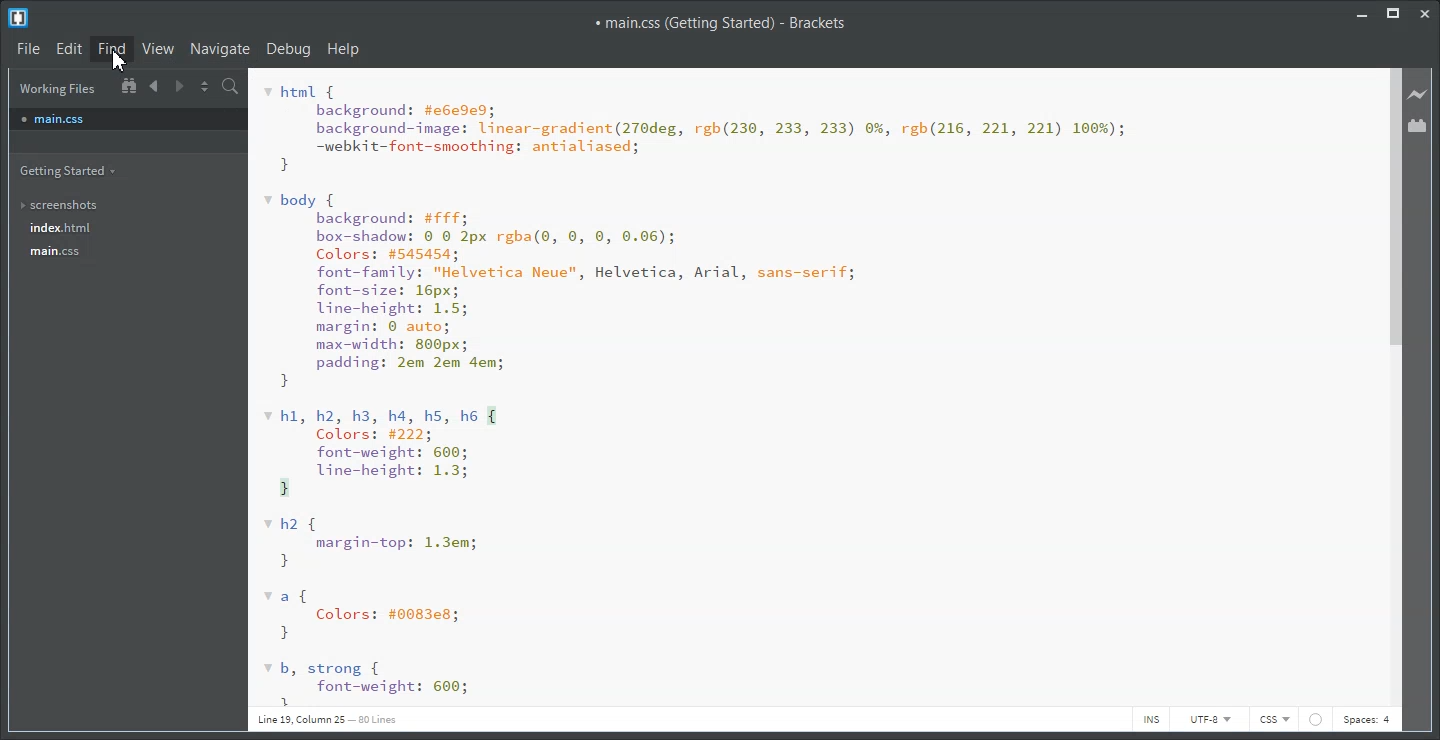 The image size is (1440, 740). I want to click on Edit, so click(68, 48).